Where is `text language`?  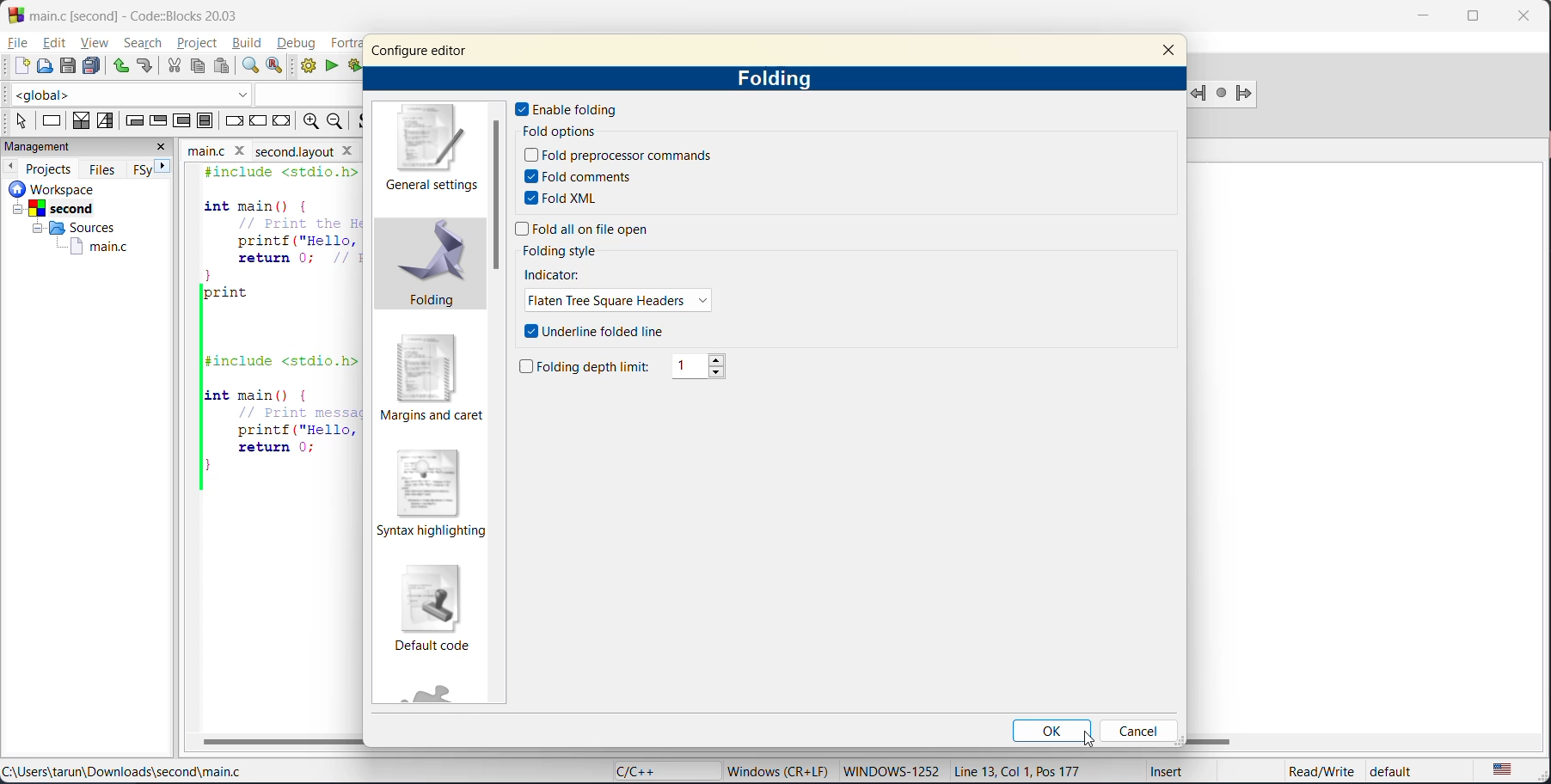
text language is located at coordinates (1505, 769).